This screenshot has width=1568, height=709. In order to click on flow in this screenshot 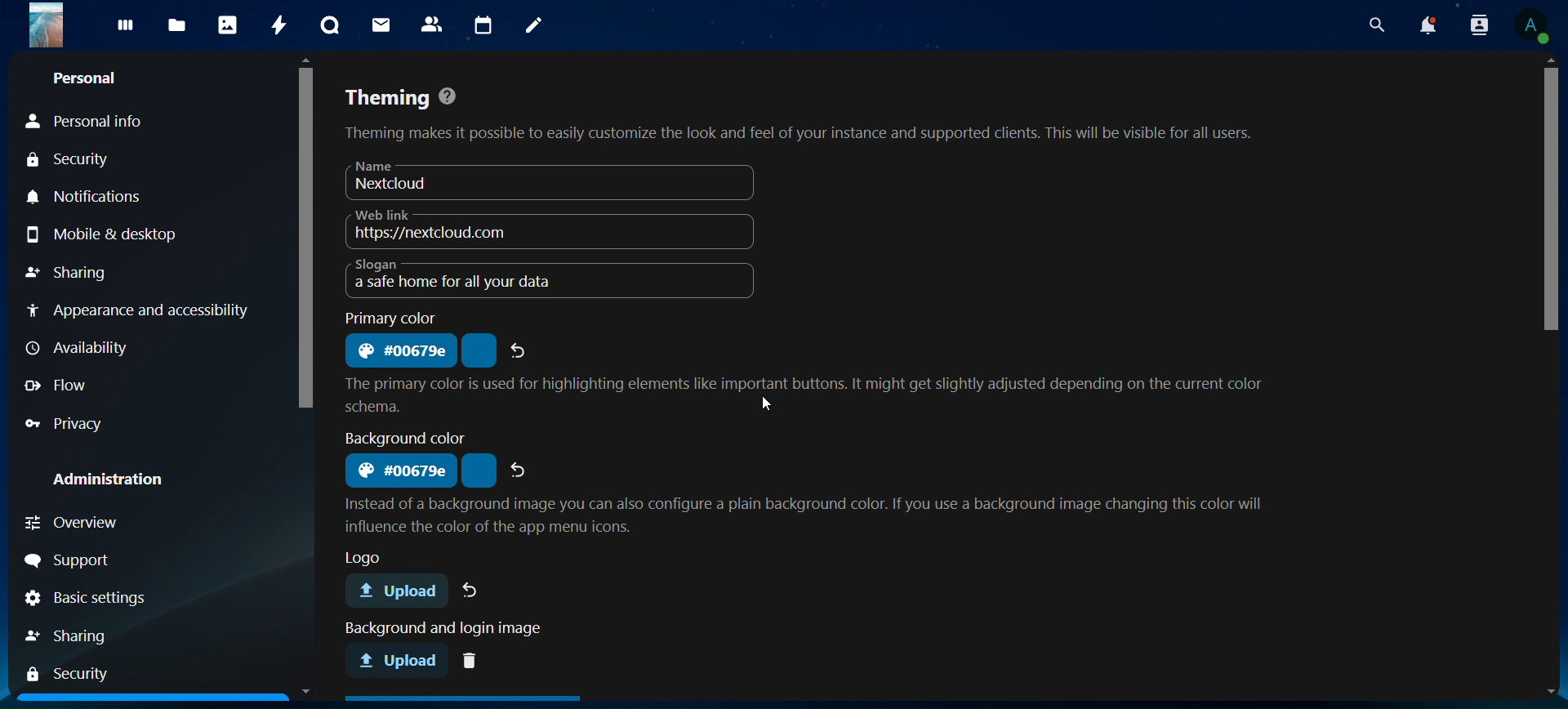, I will do `click(74, 386)`.